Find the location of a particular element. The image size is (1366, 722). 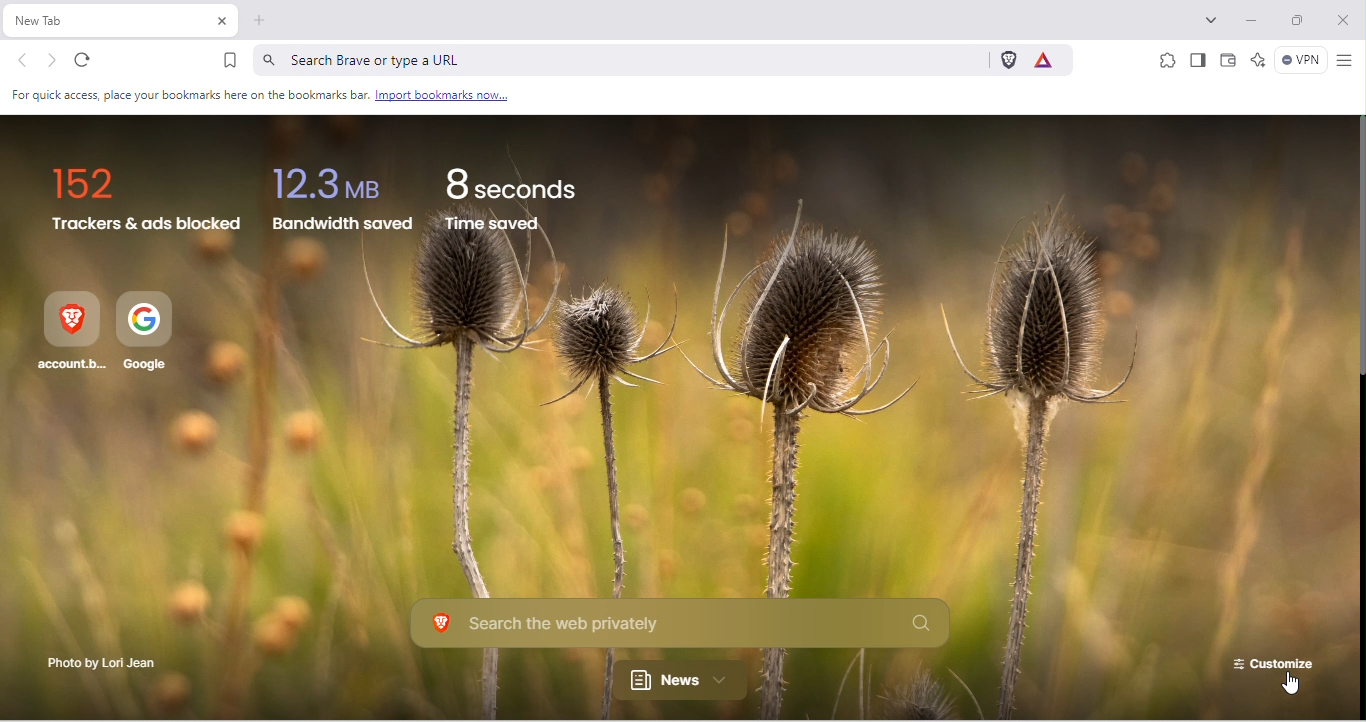

For quick access, place your bookmarks here on the bookmarks bar. Import bookmarks now... is located at coordinates (262, 96).